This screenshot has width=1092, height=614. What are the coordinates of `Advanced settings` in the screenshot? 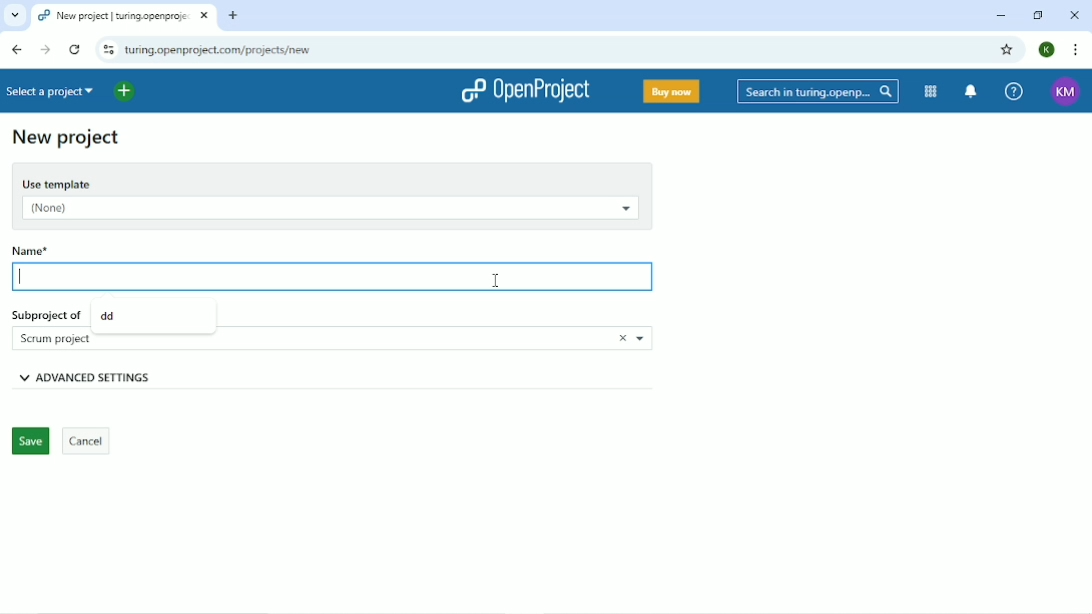 It's located at (124, 377).